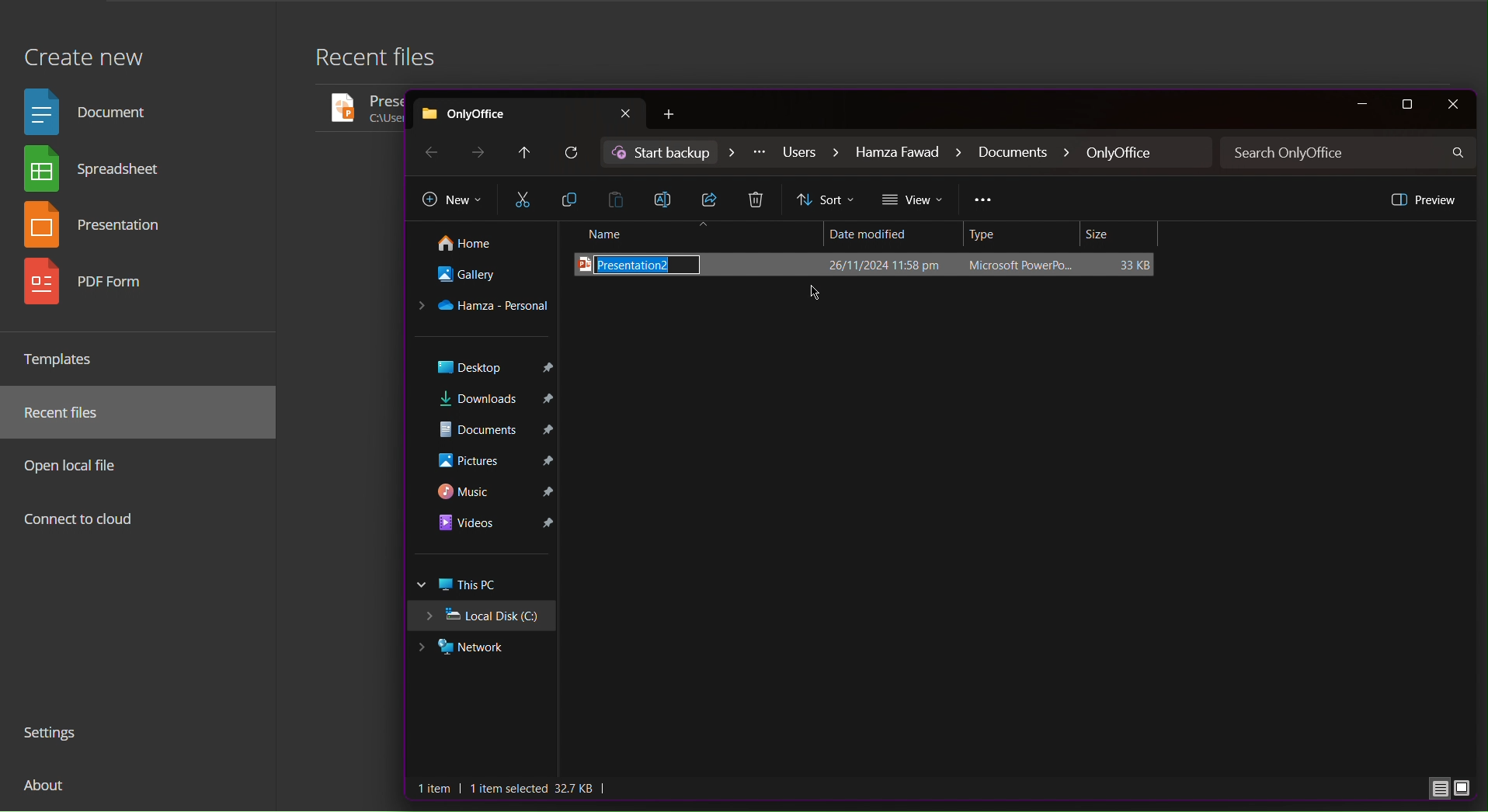  Describe the element at coordinates (76, 465) in the screenshot. I see `Open Local File` at that location.